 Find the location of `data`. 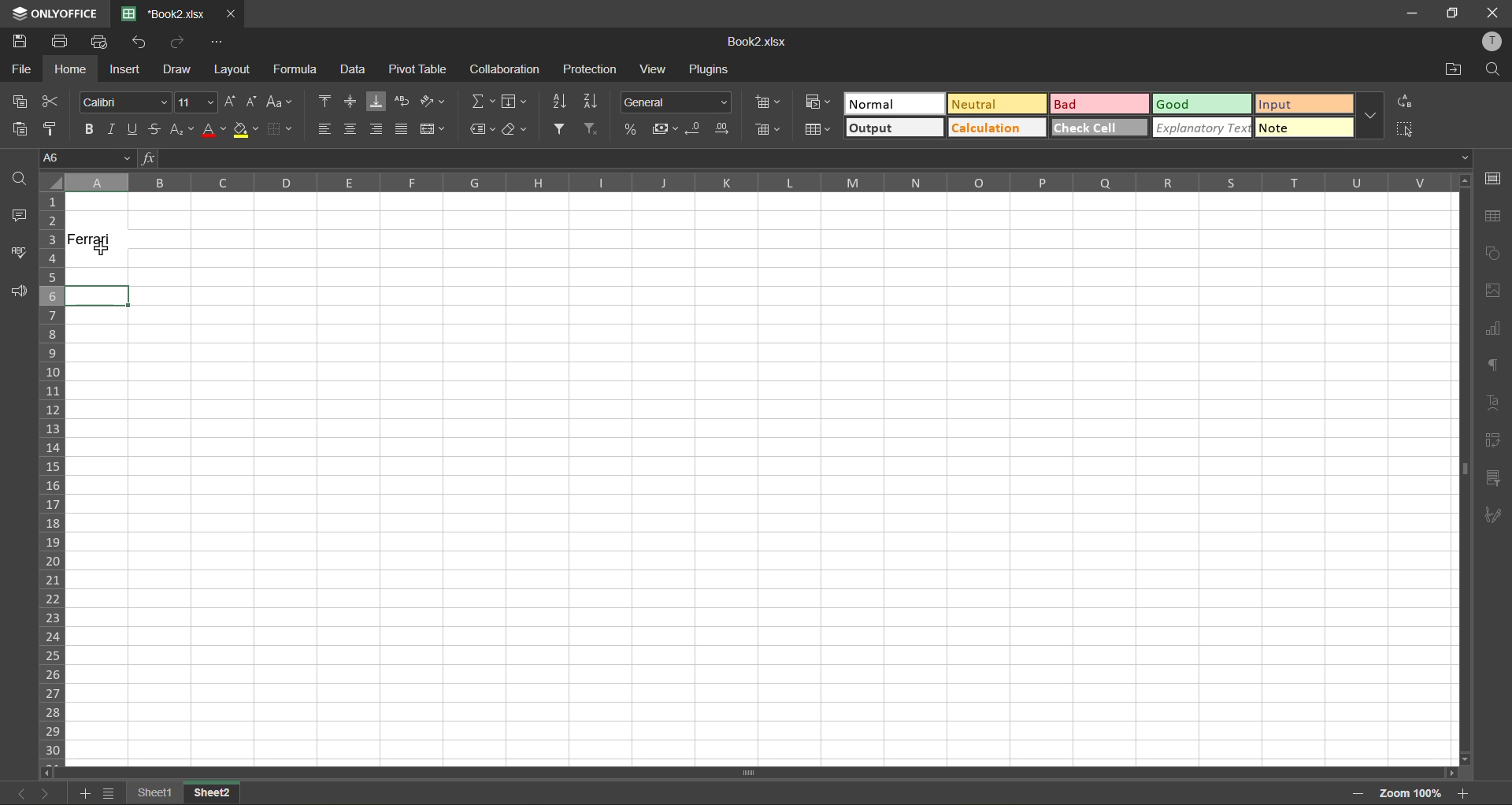

data is located at coordinates (356, 69).